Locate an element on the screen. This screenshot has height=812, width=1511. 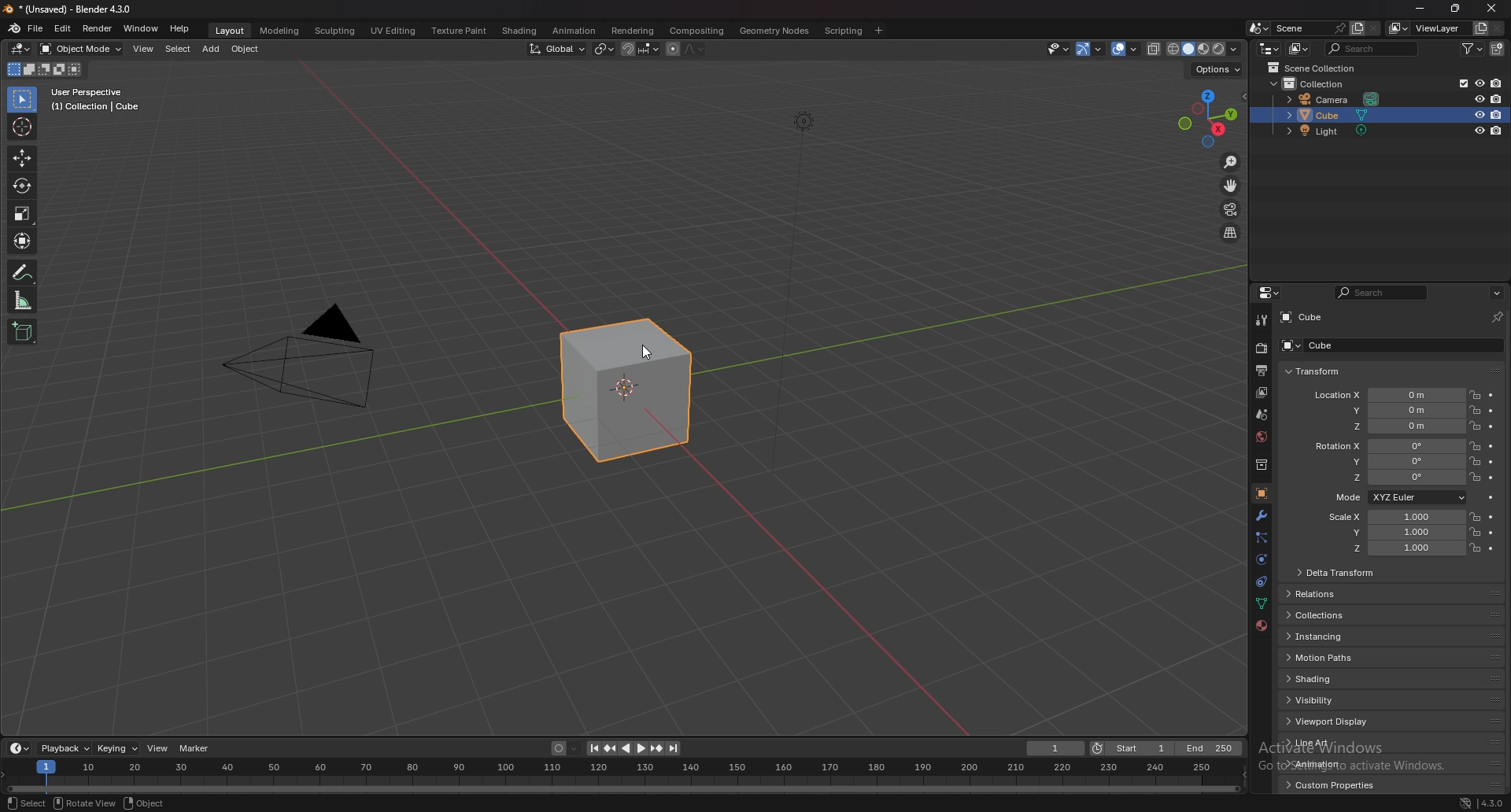
edit is located at coordinates (64, 28).